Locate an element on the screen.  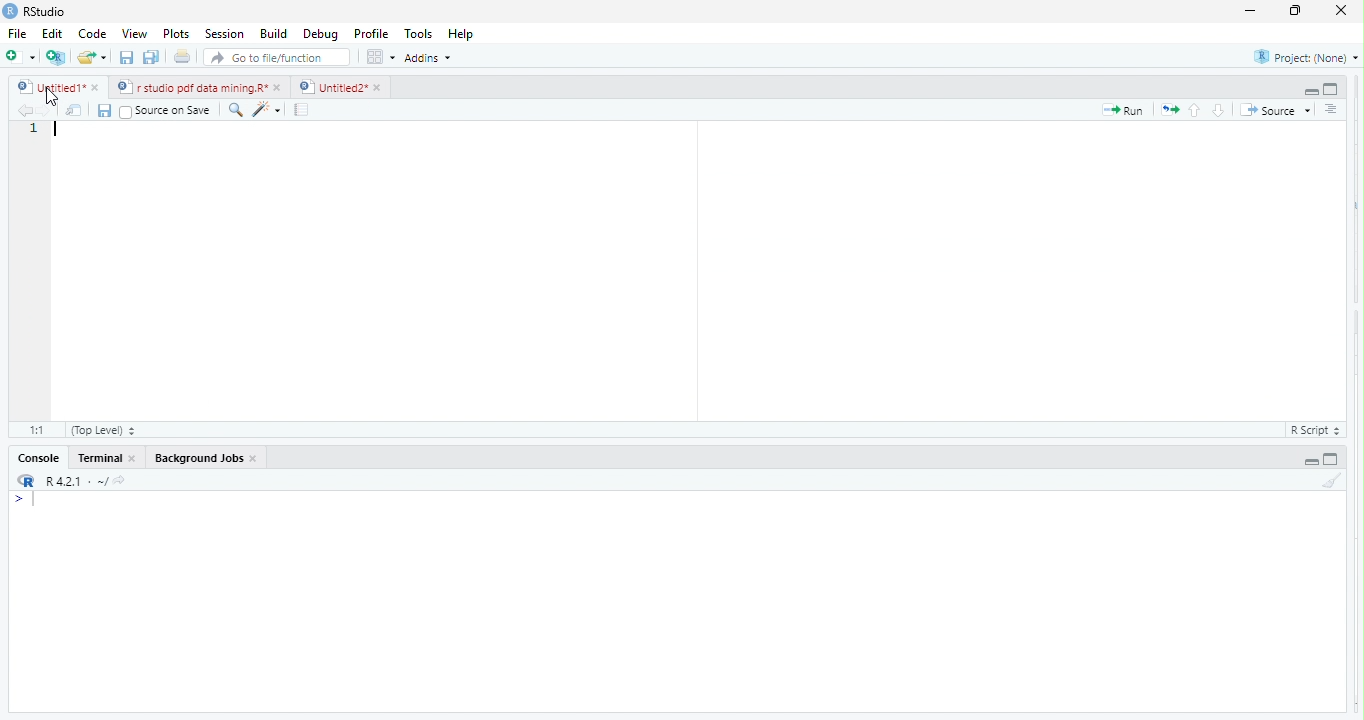
code tools is located at coordinates (267, 109).